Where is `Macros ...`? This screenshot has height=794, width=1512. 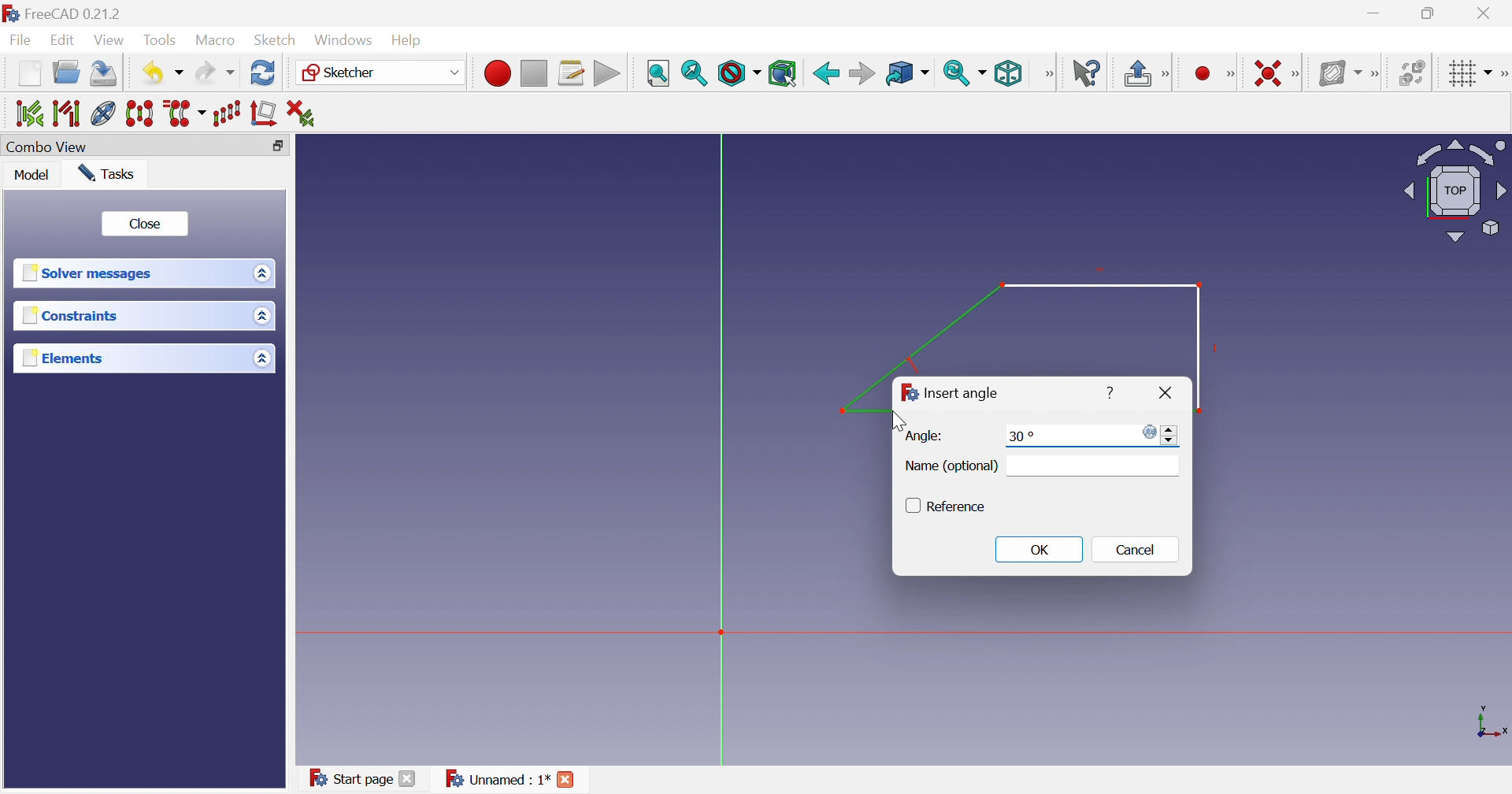
Macros ... is located at coordinates (571, 72).